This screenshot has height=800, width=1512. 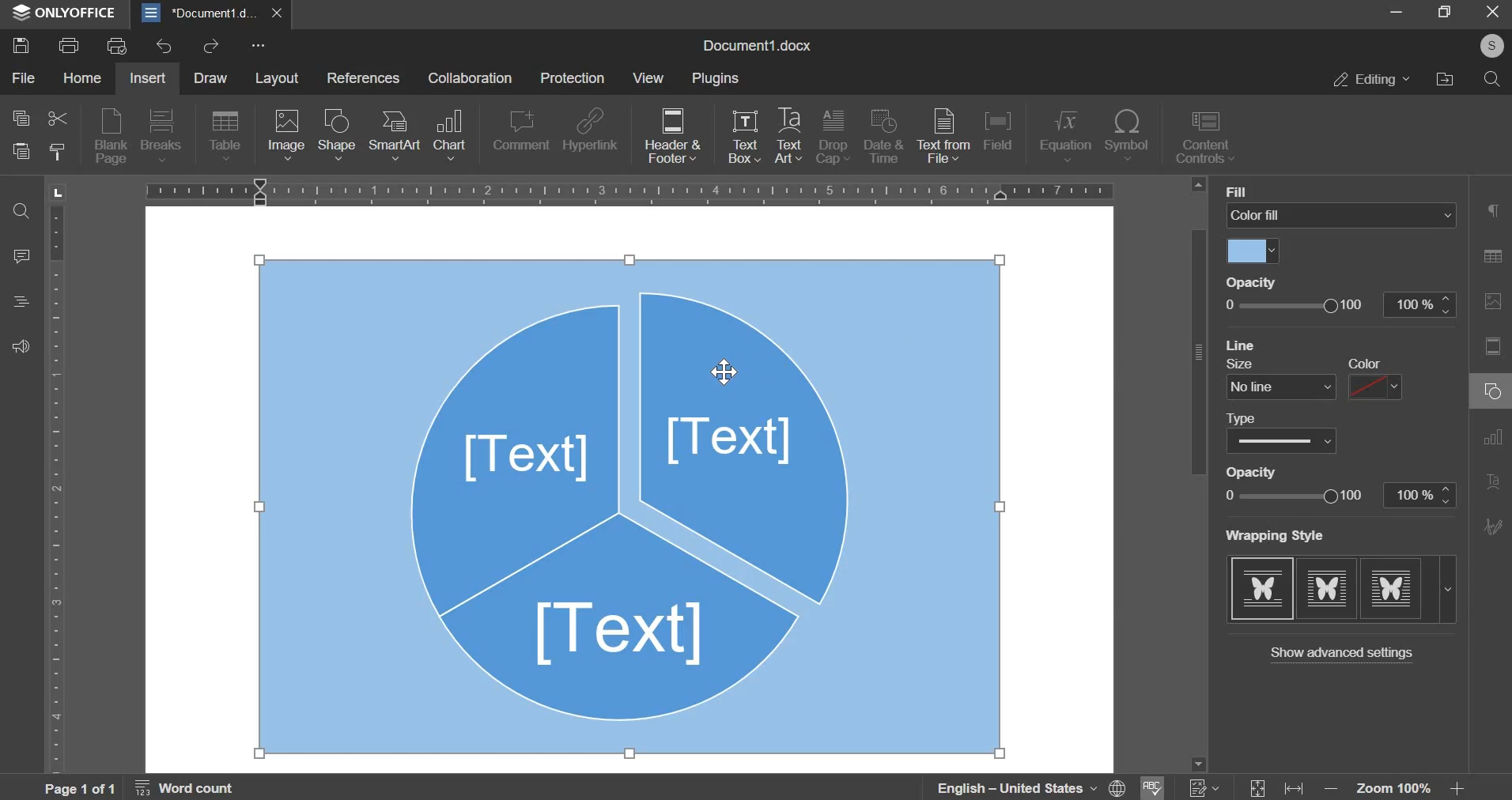 What do you see at coordinates (21, 45) in the screenshot?
I see `save` at bounding box center [21, 45].